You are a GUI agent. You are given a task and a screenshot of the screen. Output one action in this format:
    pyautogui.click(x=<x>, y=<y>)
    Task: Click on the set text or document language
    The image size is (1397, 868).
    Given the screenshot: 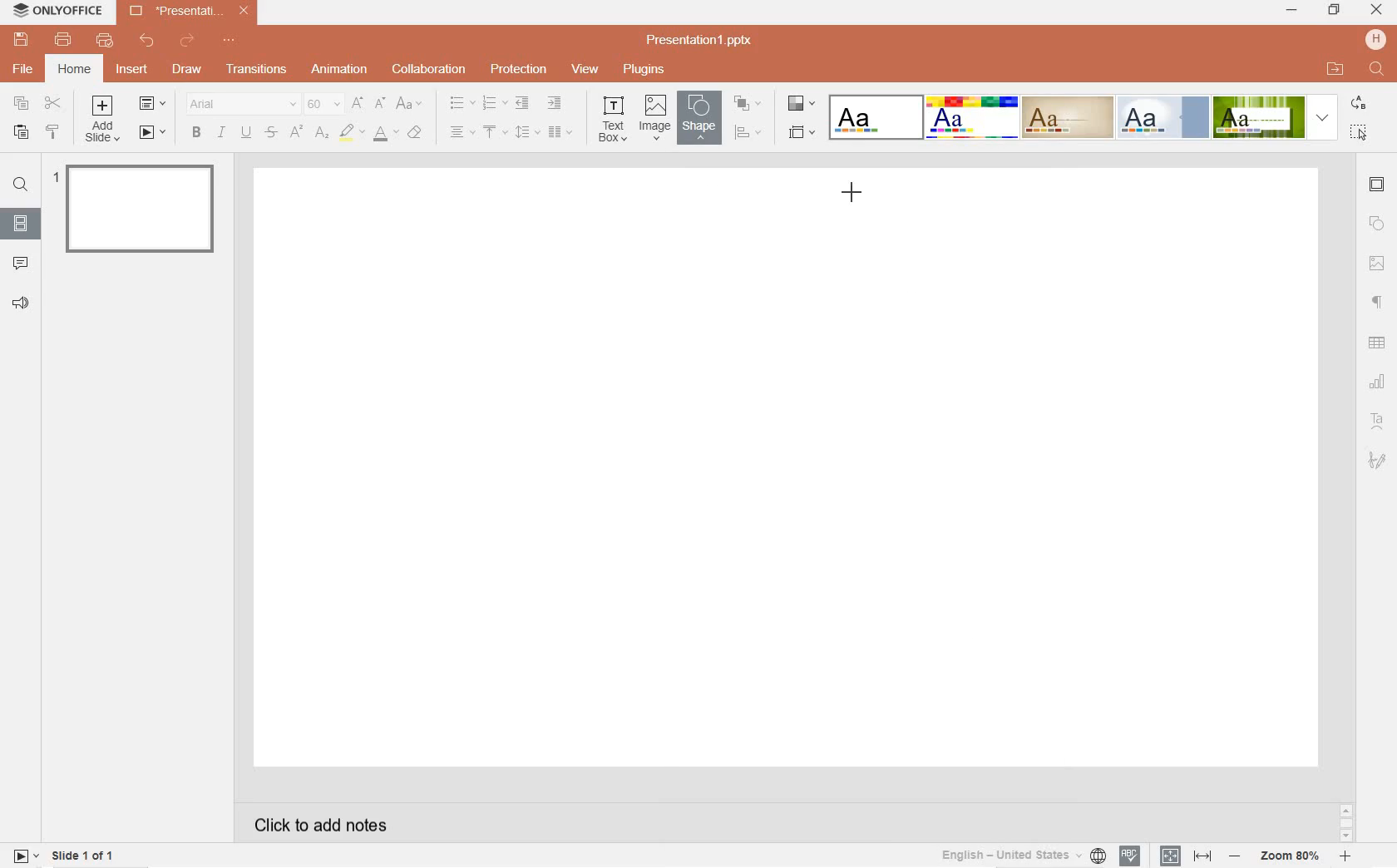 What is the action you would take?
    pyautogui.click(x=1183, y=856)
    